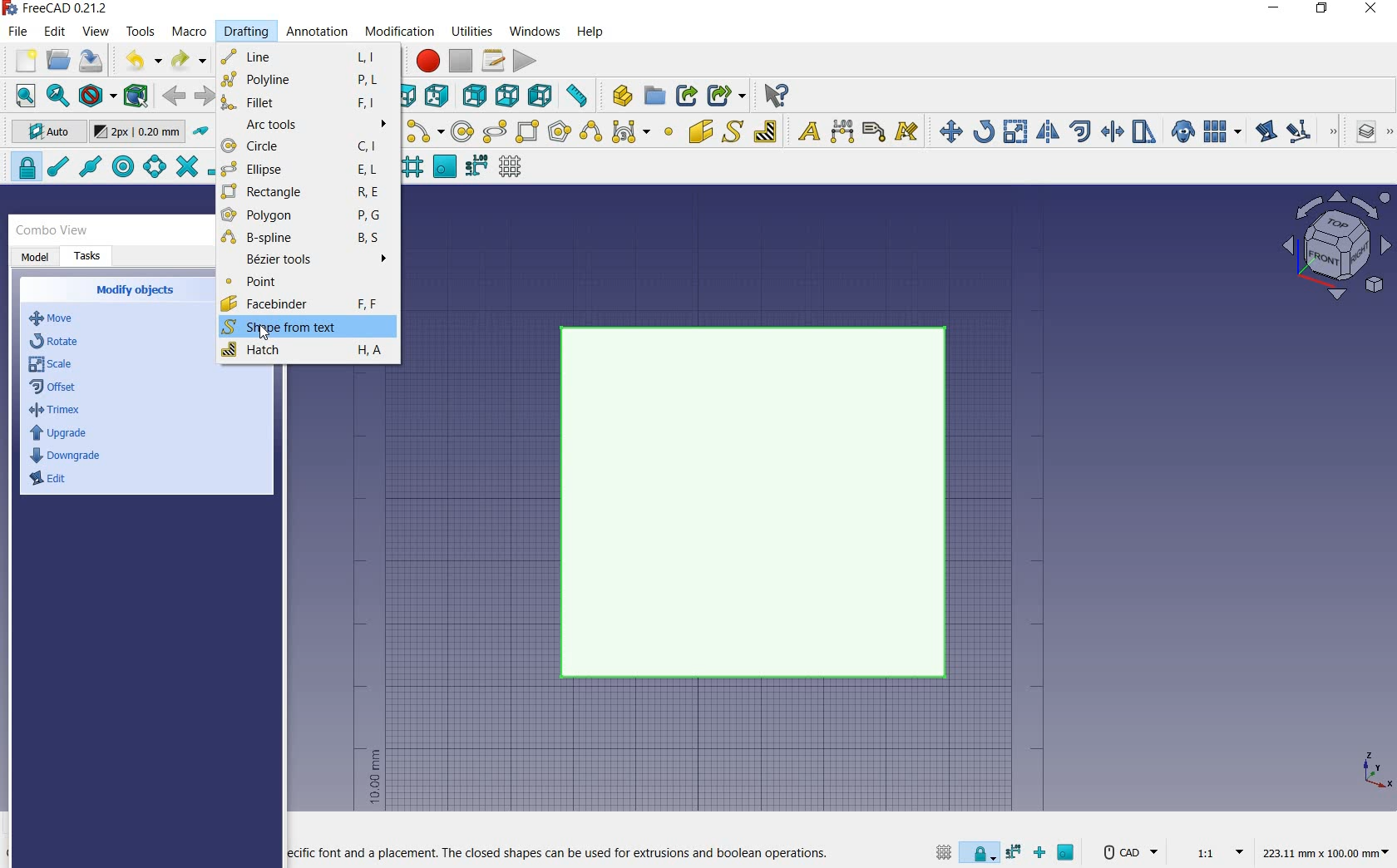 This screenshot has height=868, width=1397. What do you see at coordinates (590, 133) in the screenshot?
I see `b-spline` at bounding box center [590, 133].